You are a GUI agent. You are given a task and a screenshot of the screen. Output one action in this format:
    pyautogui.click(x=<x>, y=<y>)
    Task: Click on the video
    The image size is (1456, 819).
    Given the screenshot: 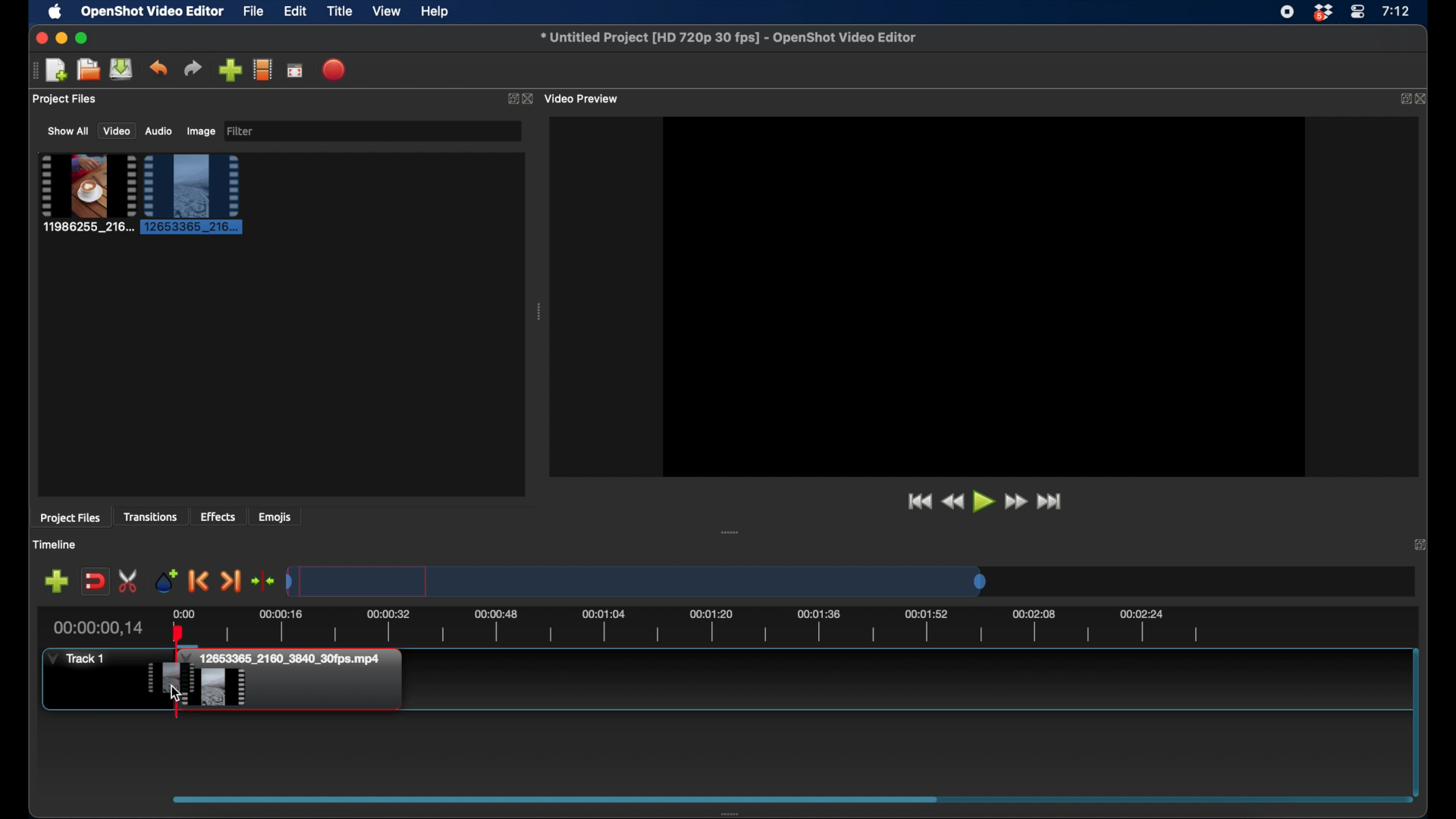 What is the action you would take?
    pyautogui.click(x=115, y=131)
    